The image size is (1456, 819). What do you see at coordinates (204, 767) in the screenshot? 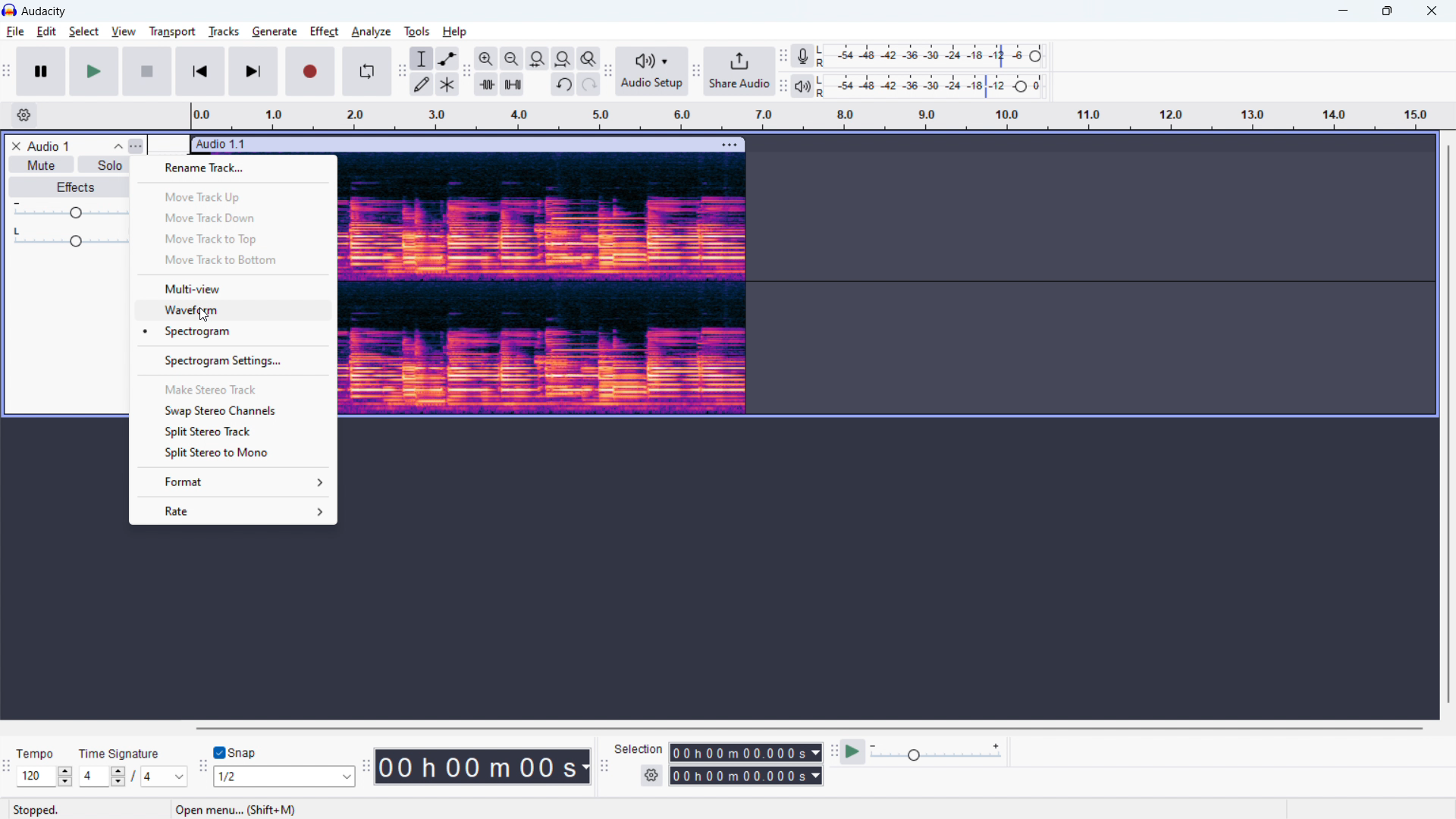
I see `snapping toolbar` at bounding box center [204, 767].